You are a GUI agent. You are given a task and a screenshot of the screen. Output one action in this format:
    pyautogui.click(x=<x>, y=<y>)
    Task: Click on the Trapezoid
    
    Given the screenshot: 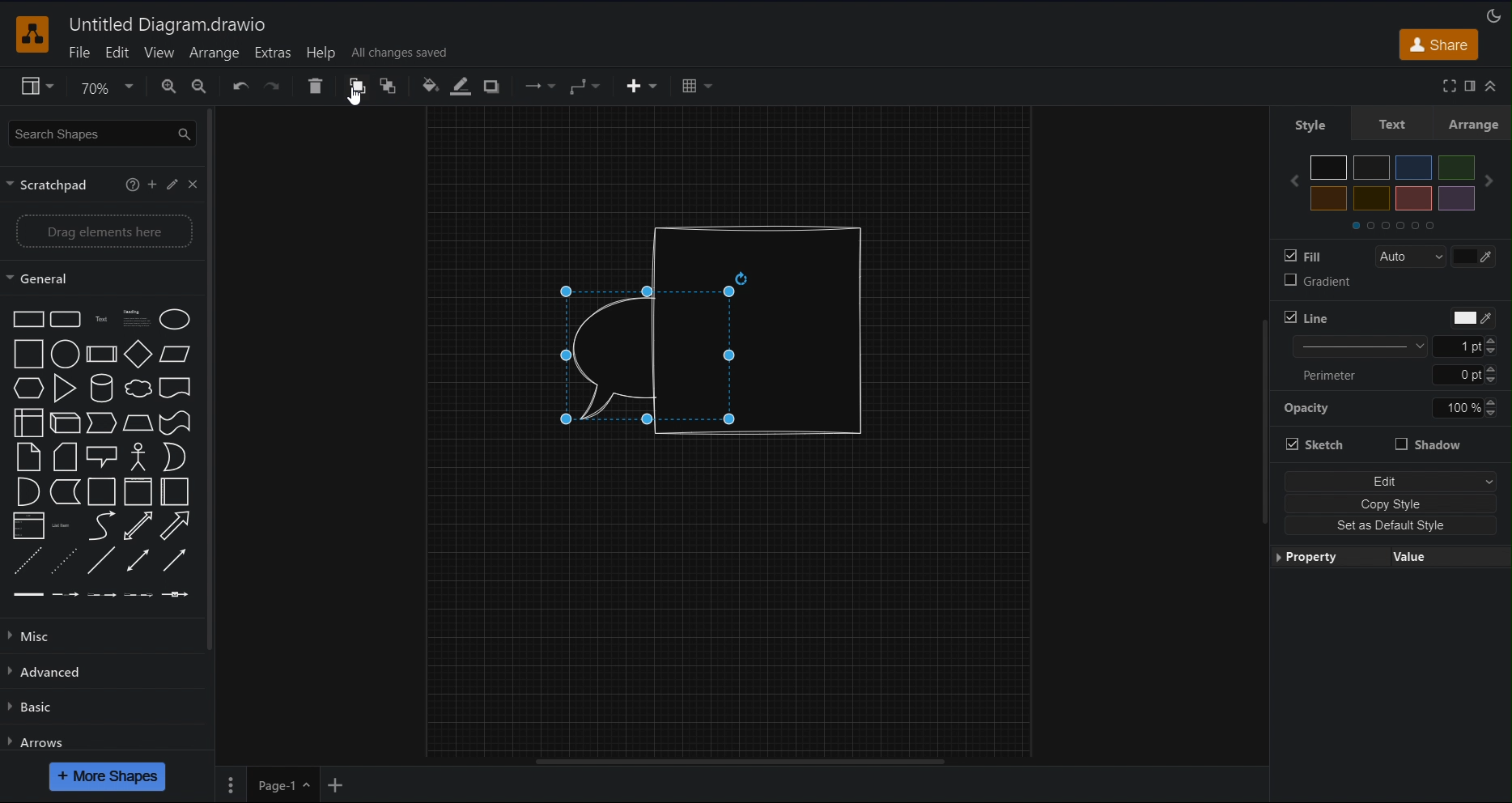 What is the action you would take?
    pyautogui.click(x=138, y=423)
    